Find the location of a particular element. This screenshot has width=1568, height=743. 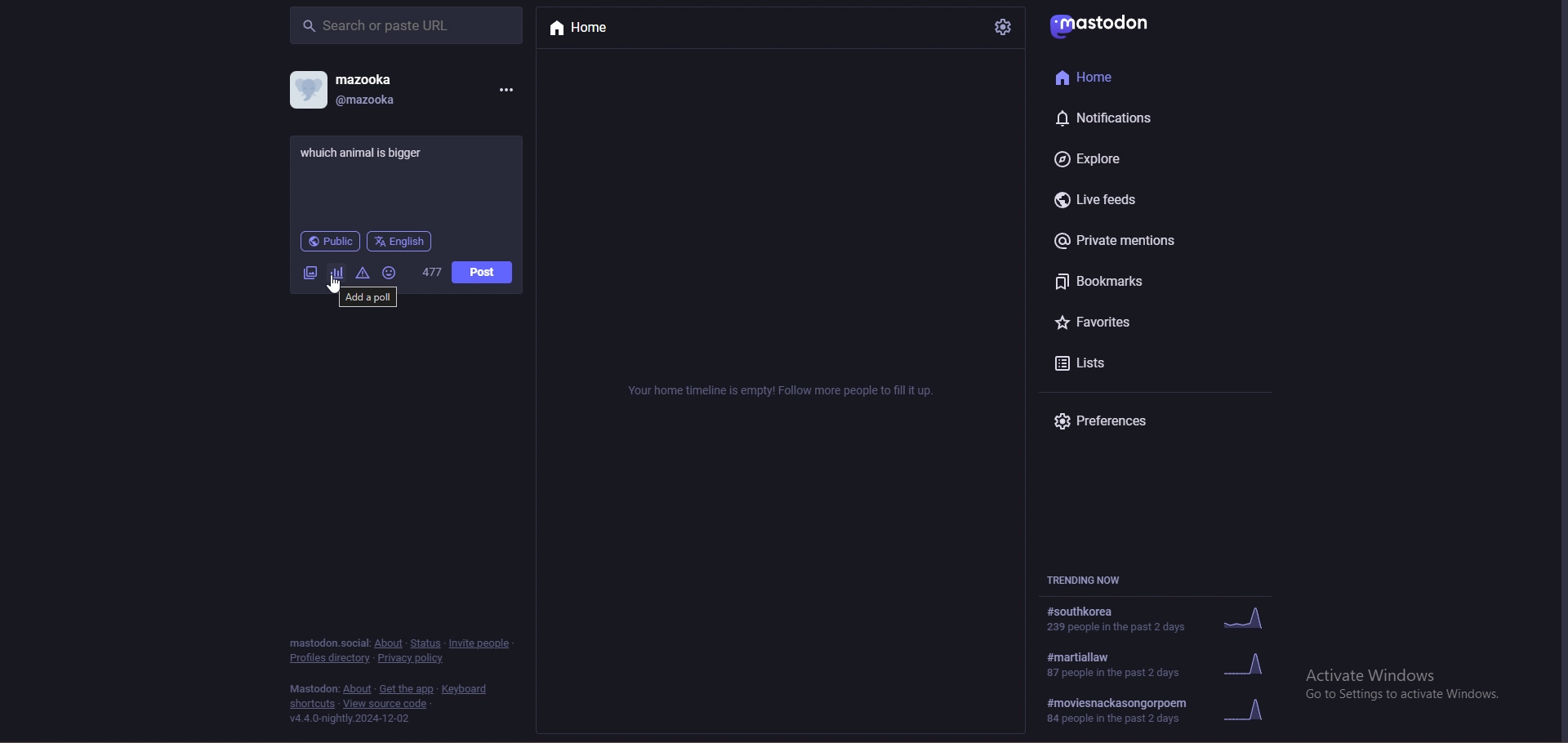

trending now is located at coordinates (1097, 581).